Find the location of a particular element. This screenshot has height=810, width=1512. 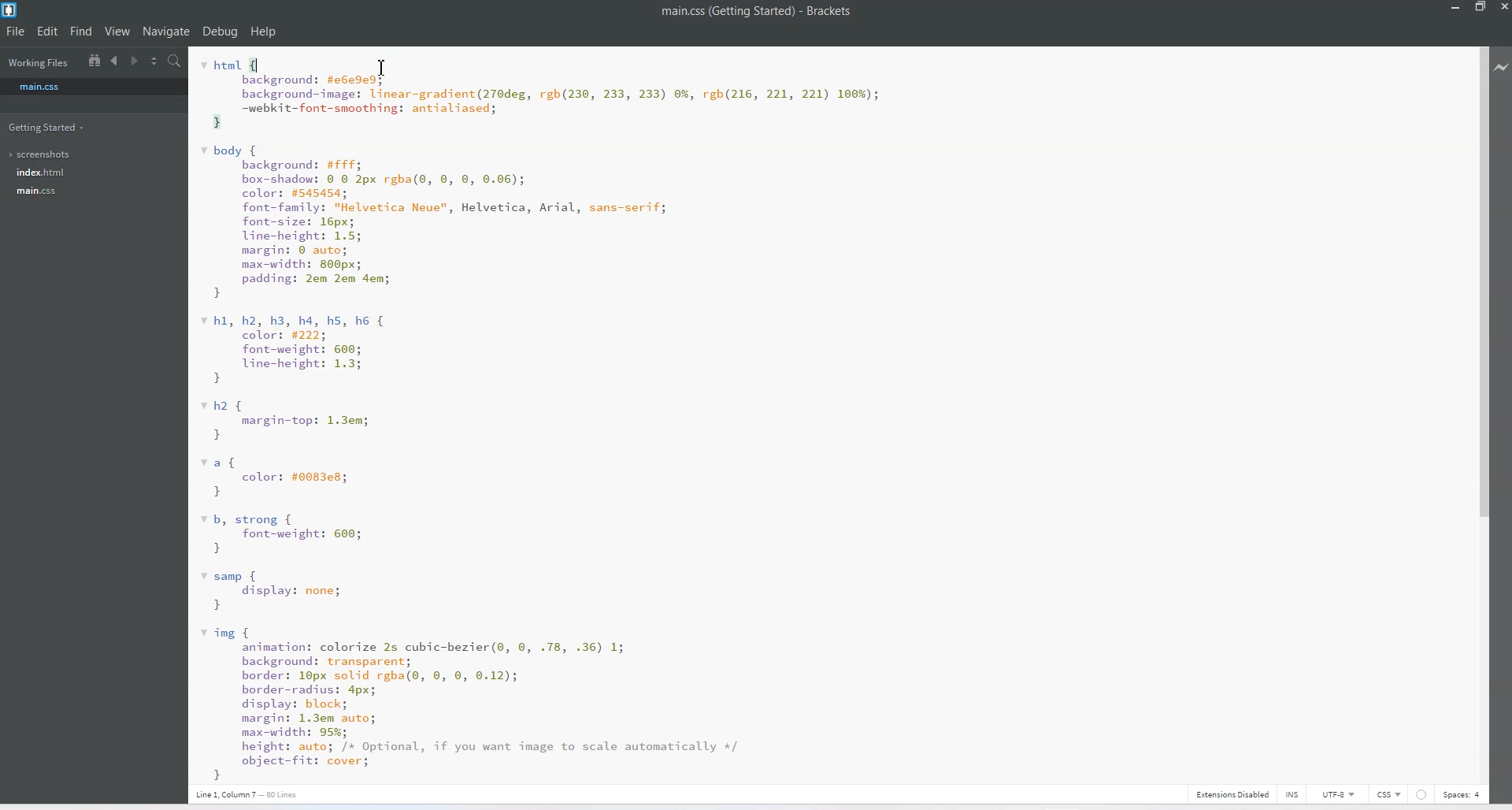

UTF-8 is located at coordinates (1337, 794).